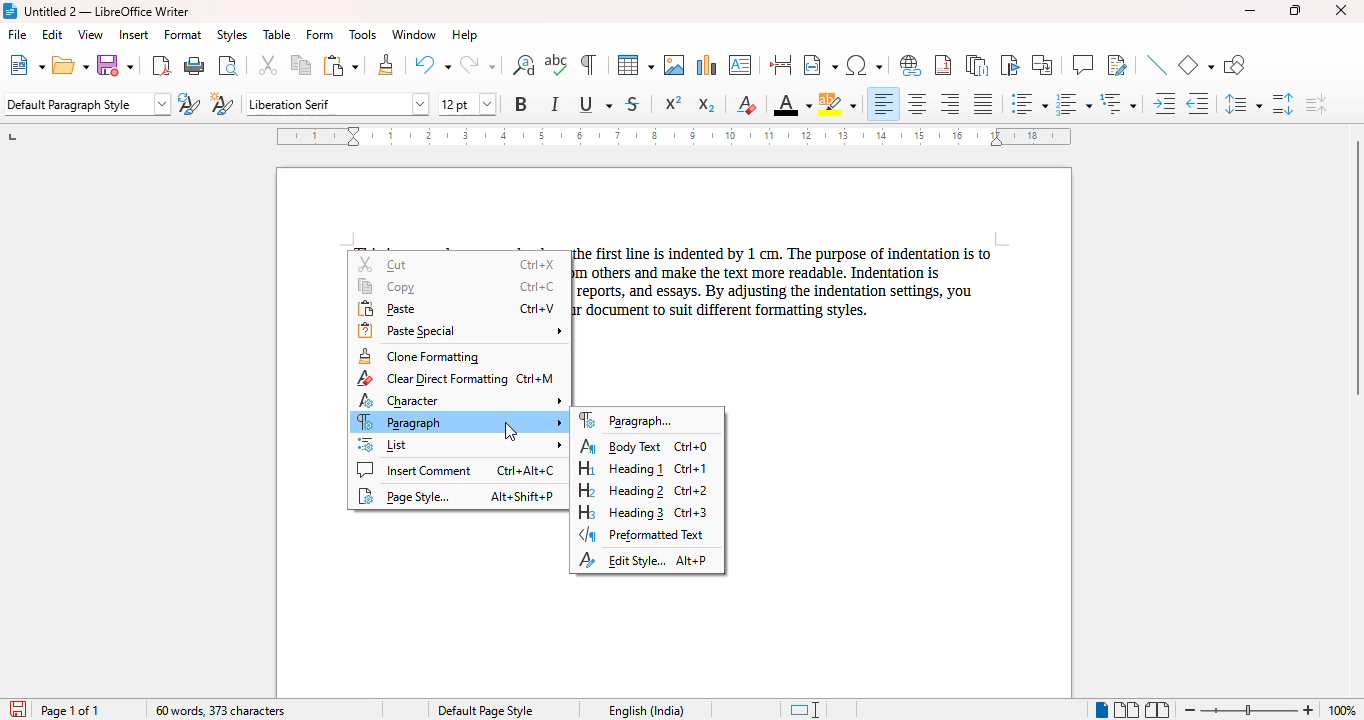  I want to click on insert line, so click(1157, 65).